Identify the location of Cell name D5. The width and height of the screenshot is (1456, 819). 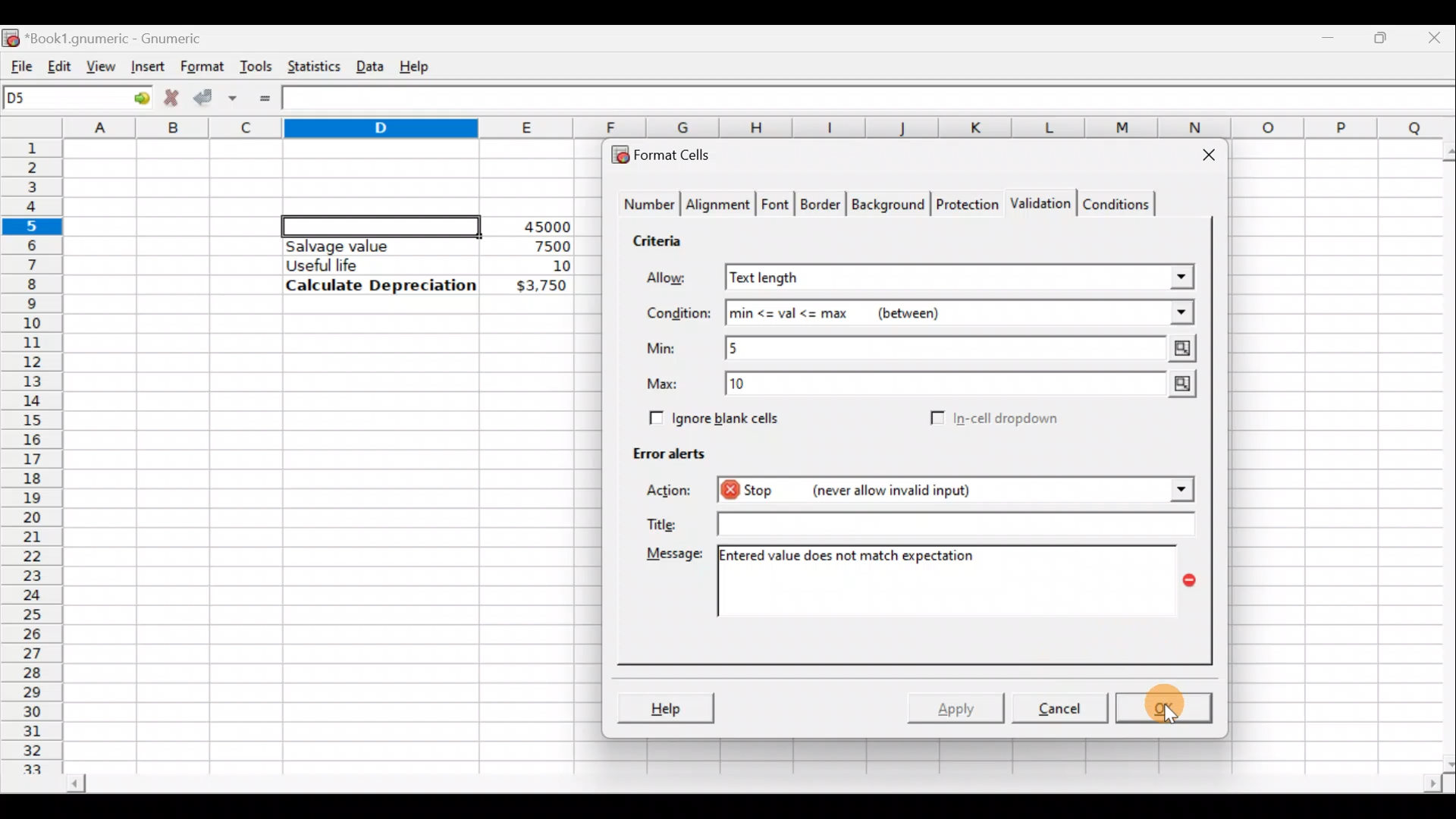
(59, 99).